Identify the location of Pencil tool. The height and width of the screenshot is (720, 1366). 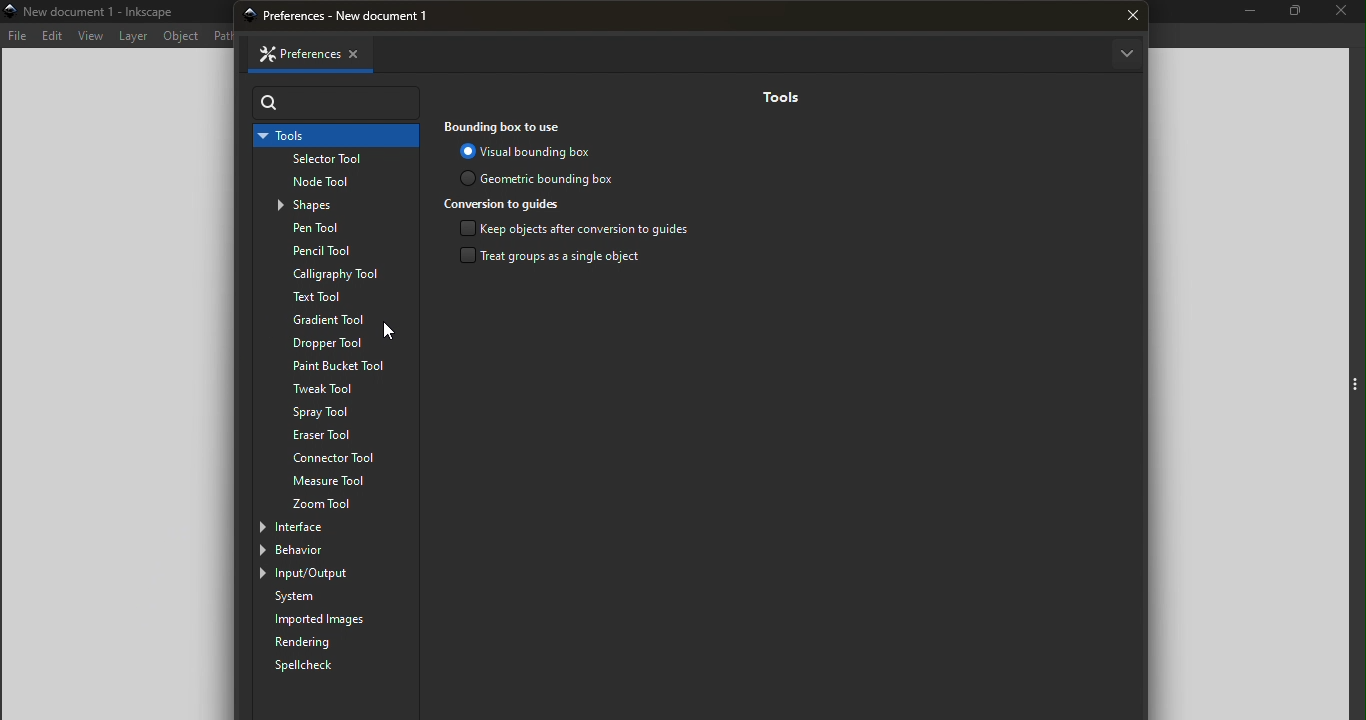
(333, 251).